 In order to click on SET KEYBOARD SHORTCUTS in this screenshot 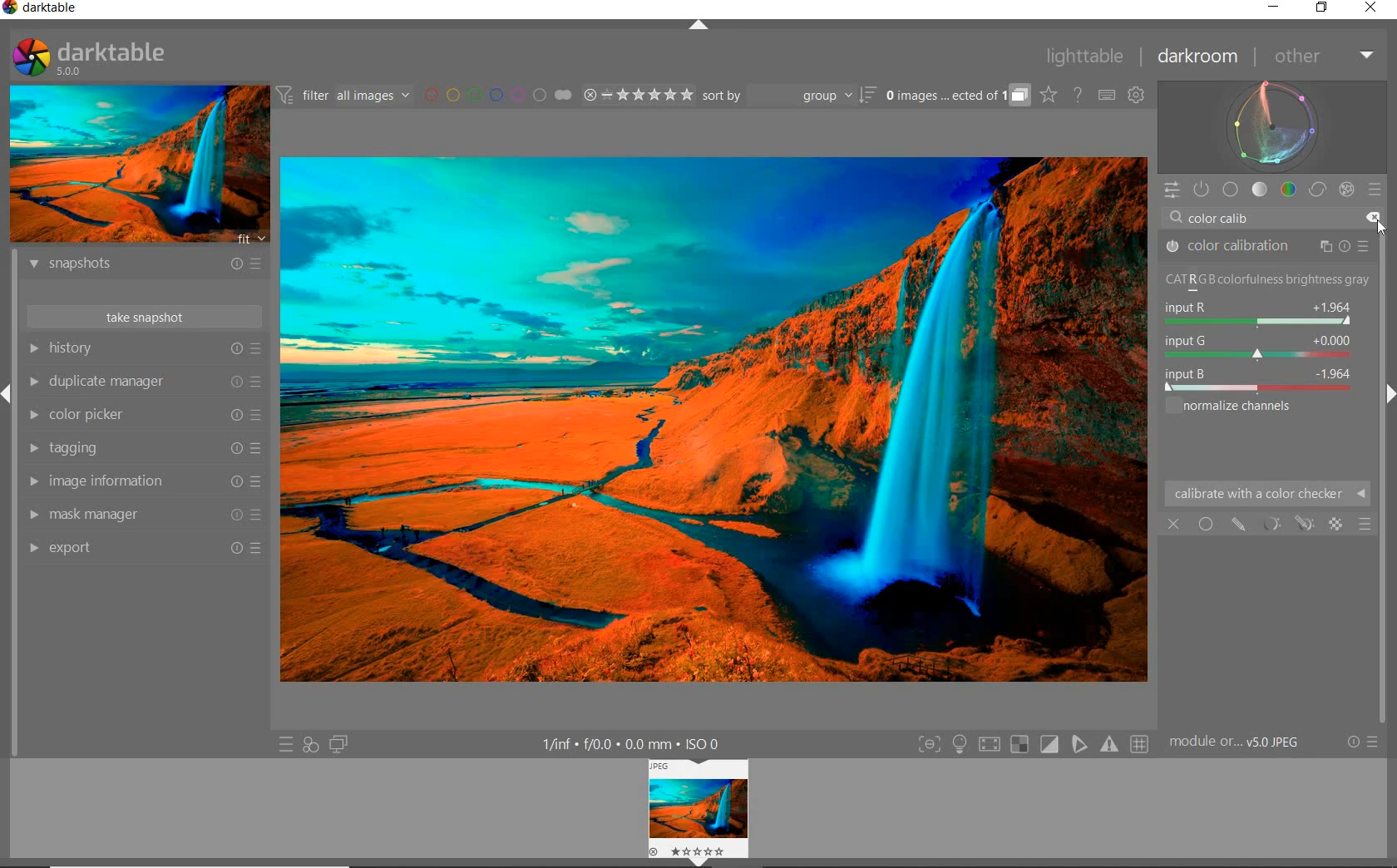, I will do `click(1108, 96)`.